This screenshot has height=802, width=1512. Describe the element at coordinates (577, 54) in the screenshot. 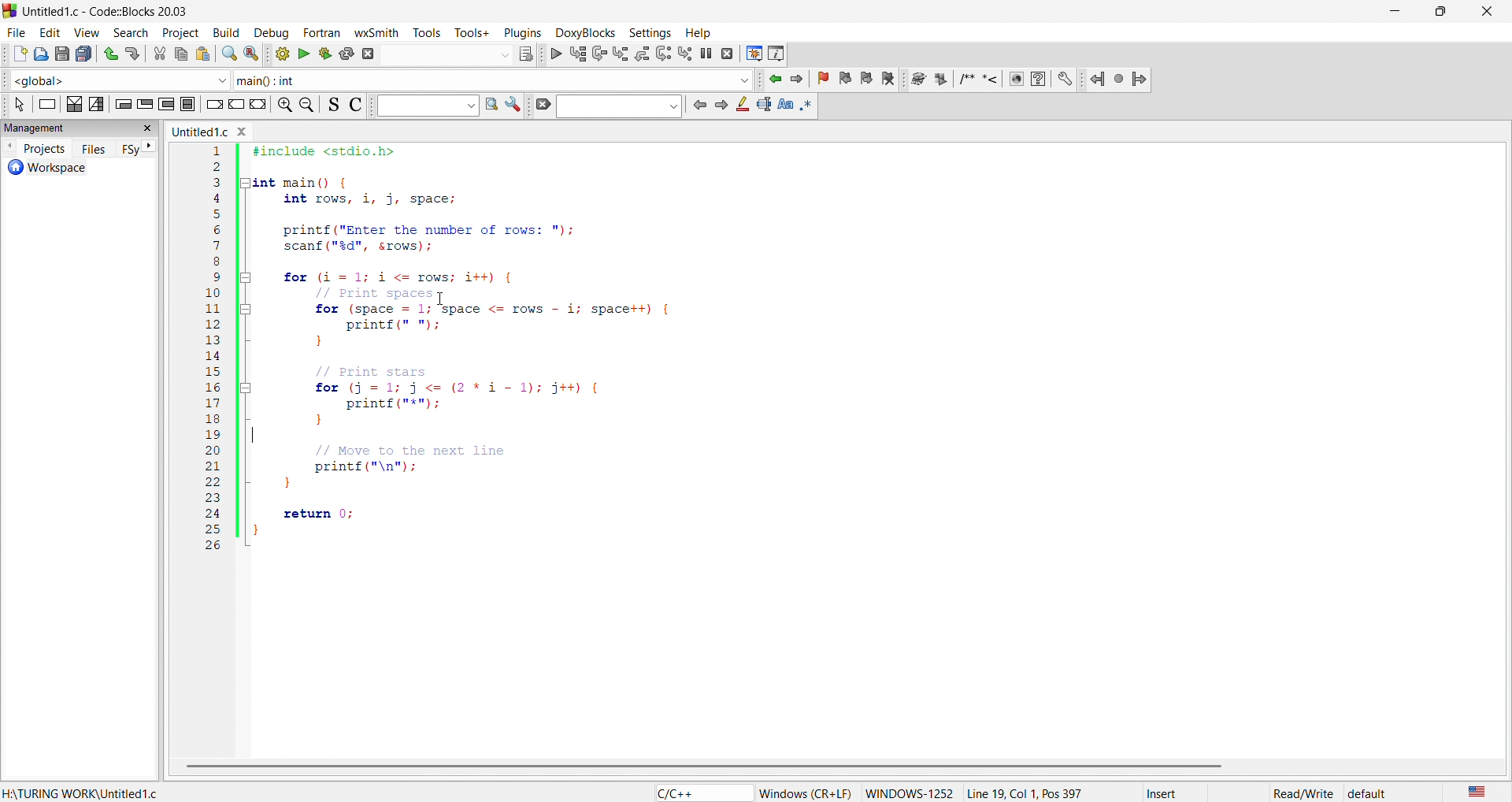

I see `run to cursor` at that location.